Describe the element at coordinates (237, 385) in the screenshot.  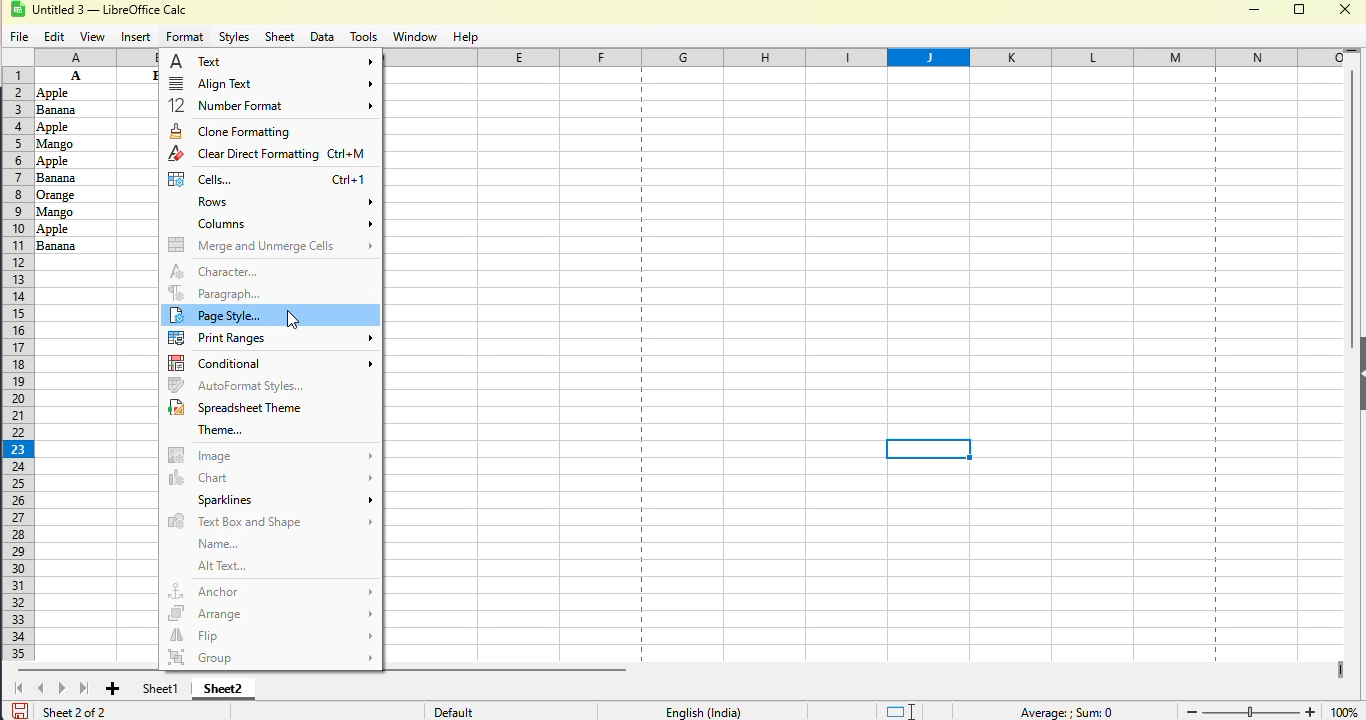
I see `autoformat styles` at that location.